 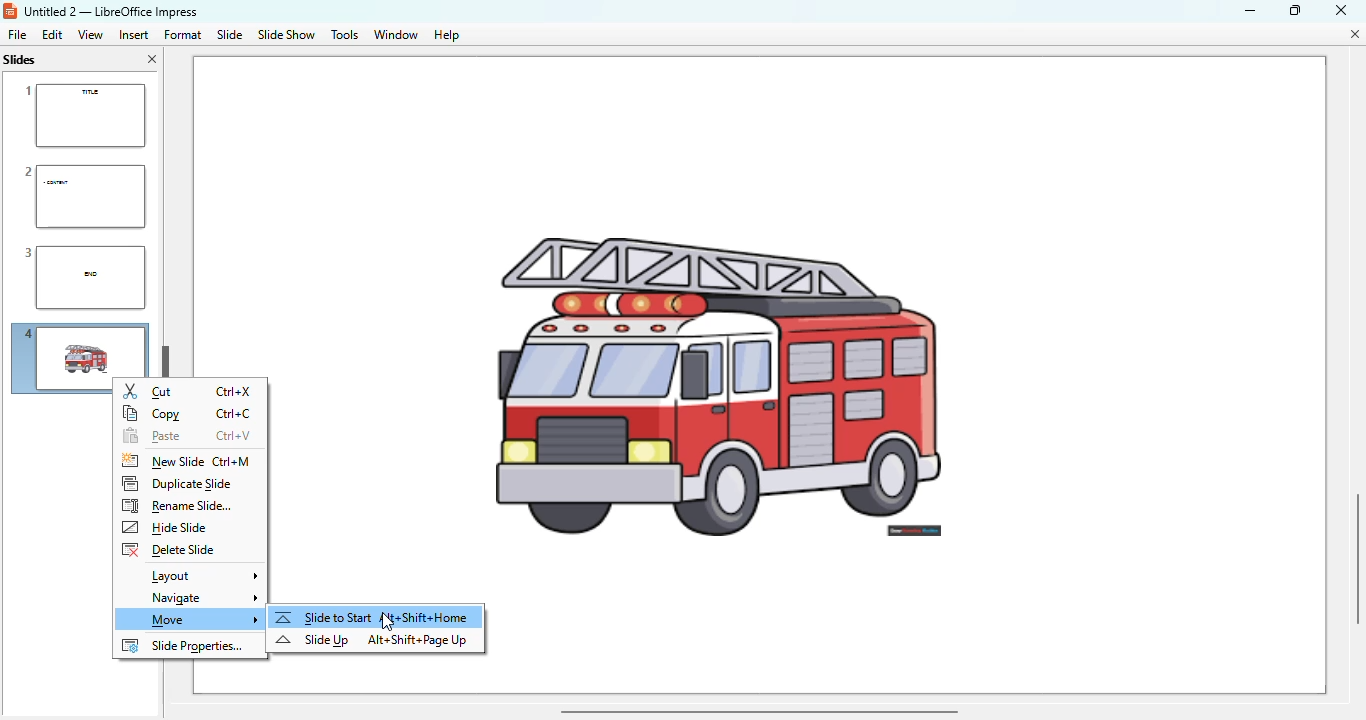 I want to click on slide up, so click(x=312, y=640).